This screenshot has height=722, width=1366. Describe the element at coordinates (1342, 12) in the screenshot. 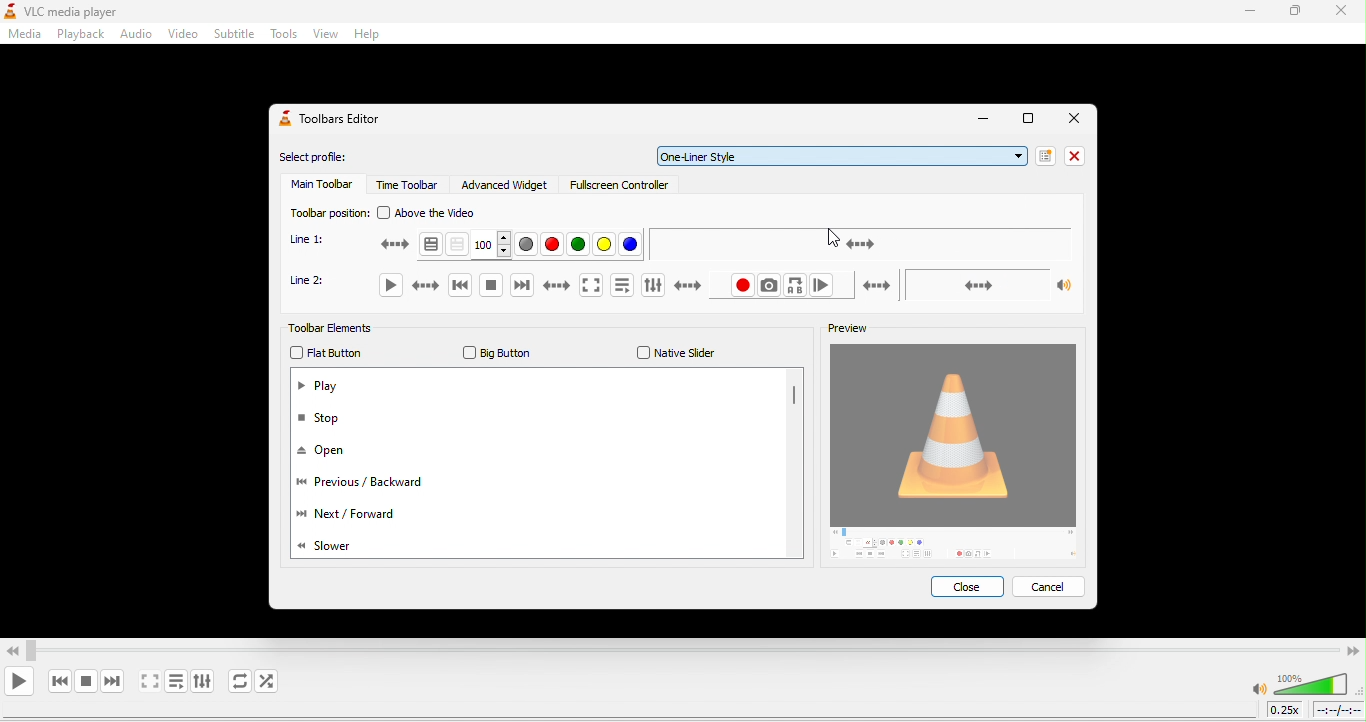

I see `close` at that location.